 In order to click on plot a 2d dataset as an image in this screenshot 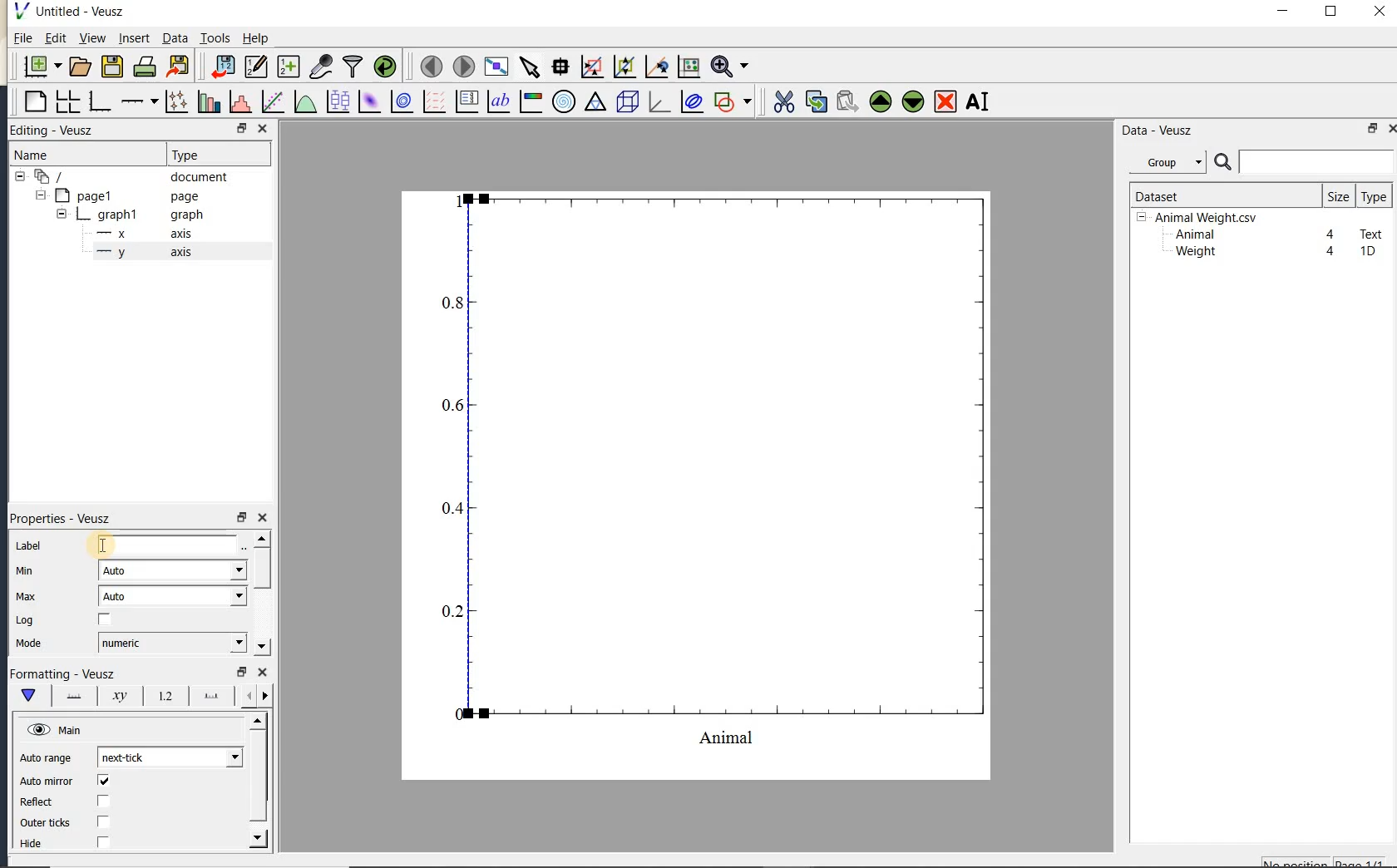, I will do `click(368, 101)`.